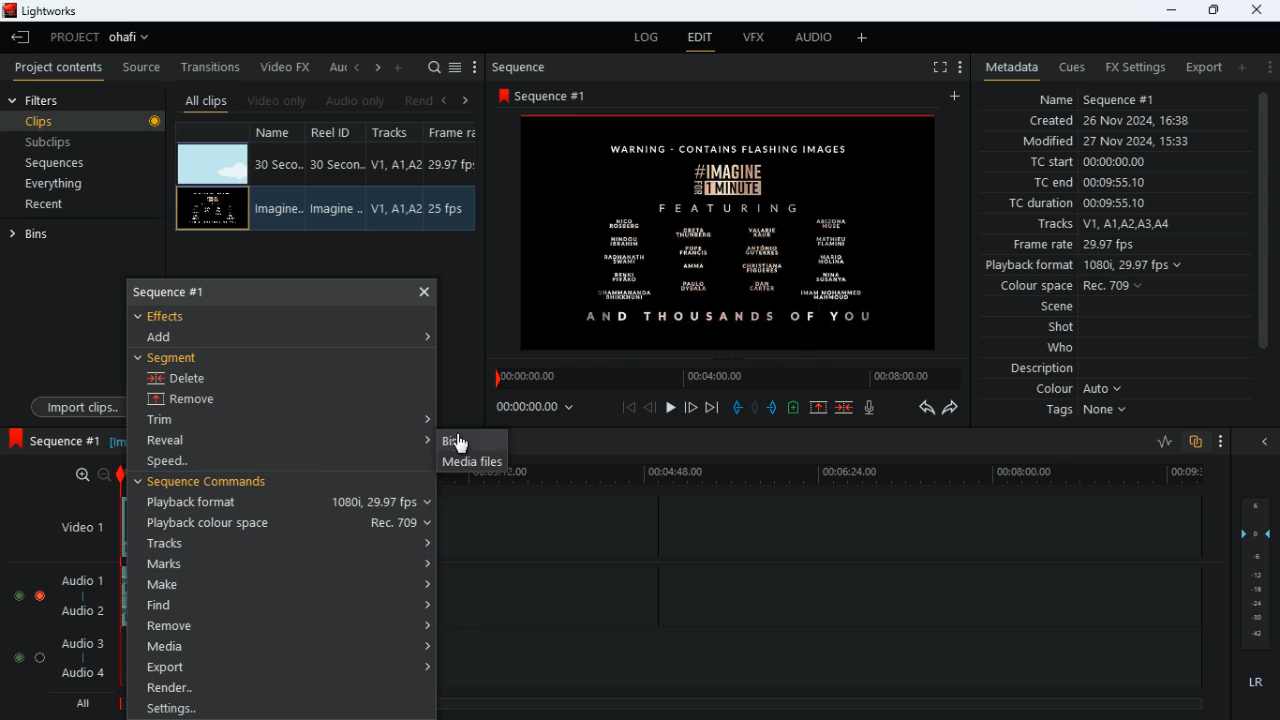 Image resolution: width=1280 pixels, height=720 pixels. Describe the element at coordinates (702, 39) in the screenshot. I see `edit` at that location.